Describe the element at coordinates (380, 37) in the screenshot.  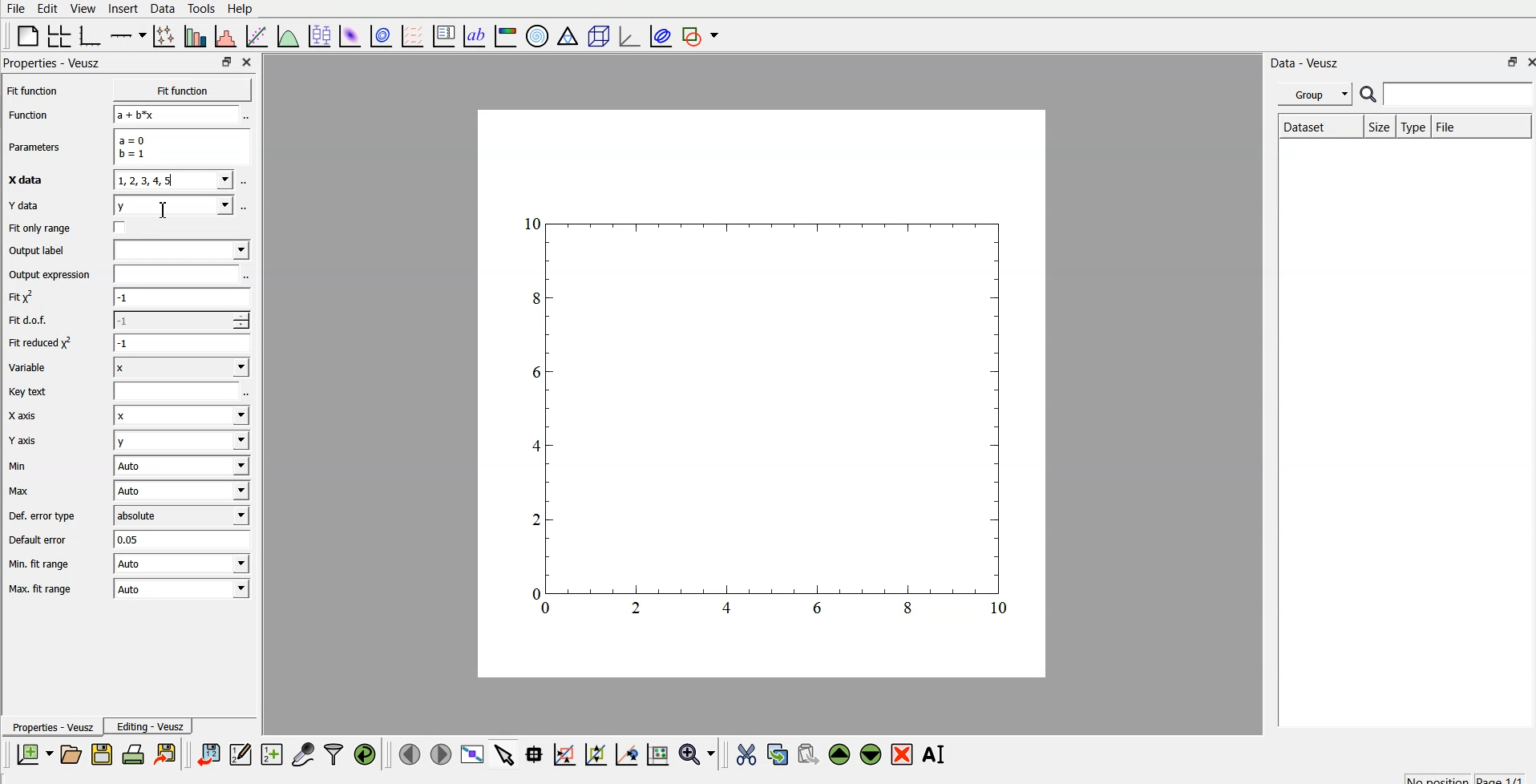
I see `plot 2d data set as contours` at that location.